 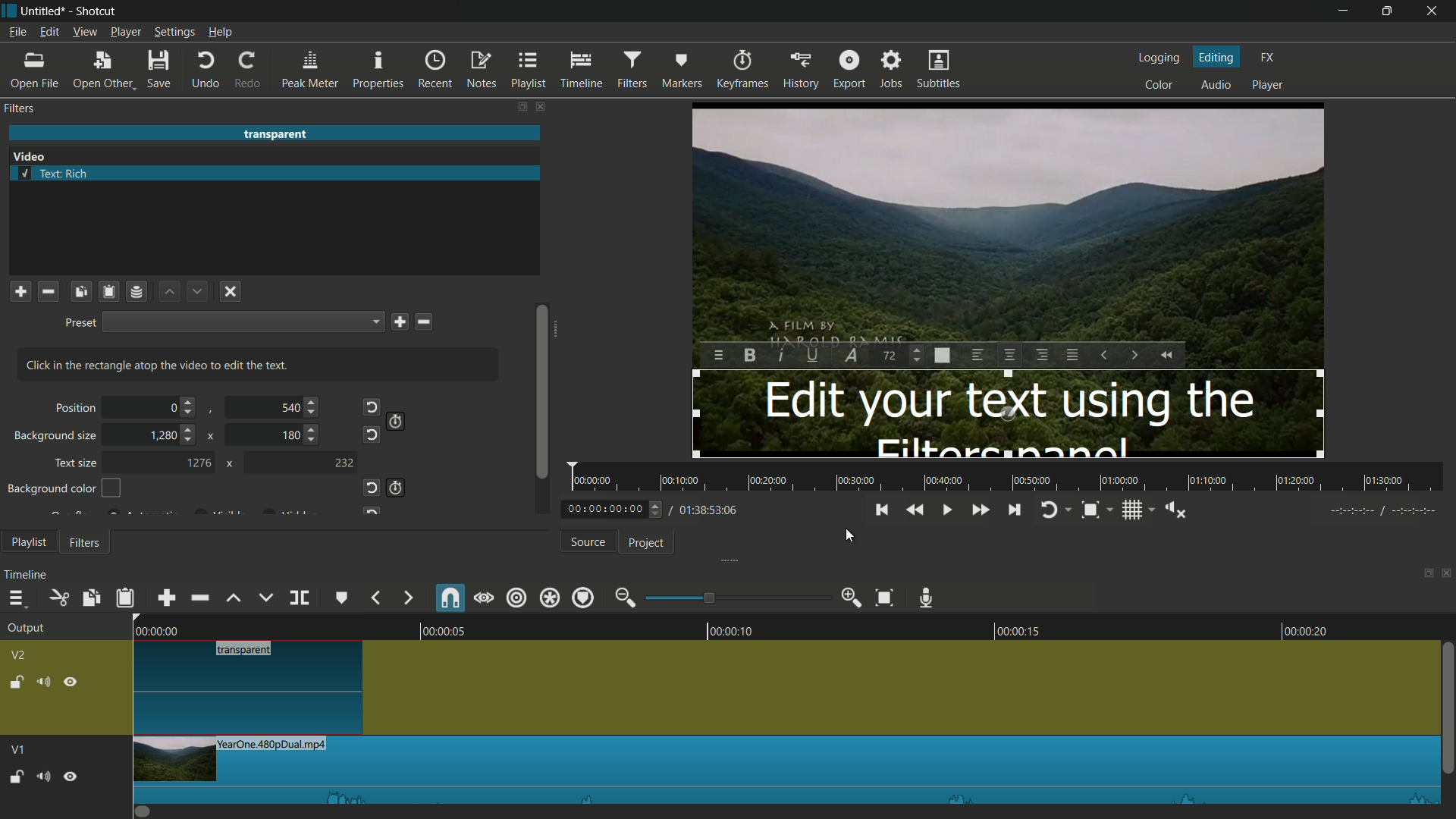 I want to click on adjustment bar, so click(x=739, y=598).